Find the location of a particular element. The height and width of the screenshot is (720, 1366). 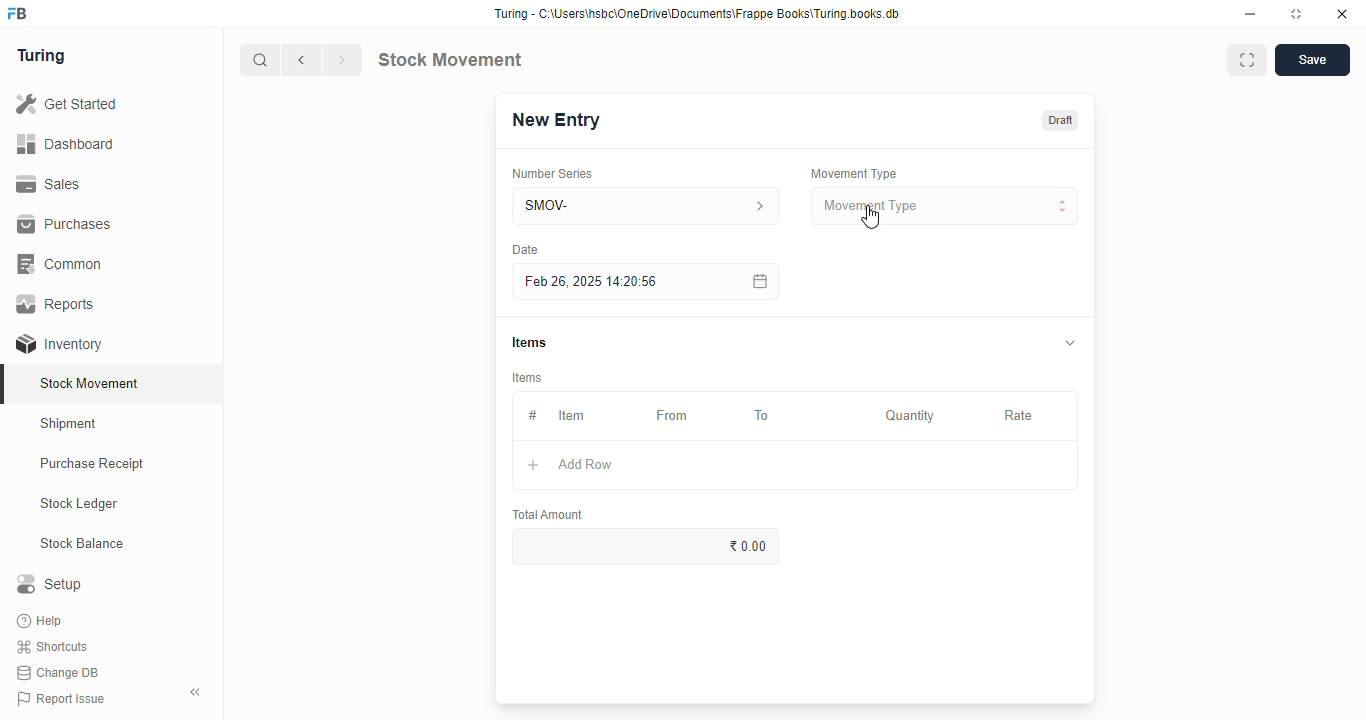

₹0.00 is located at coordinates (647, 546).